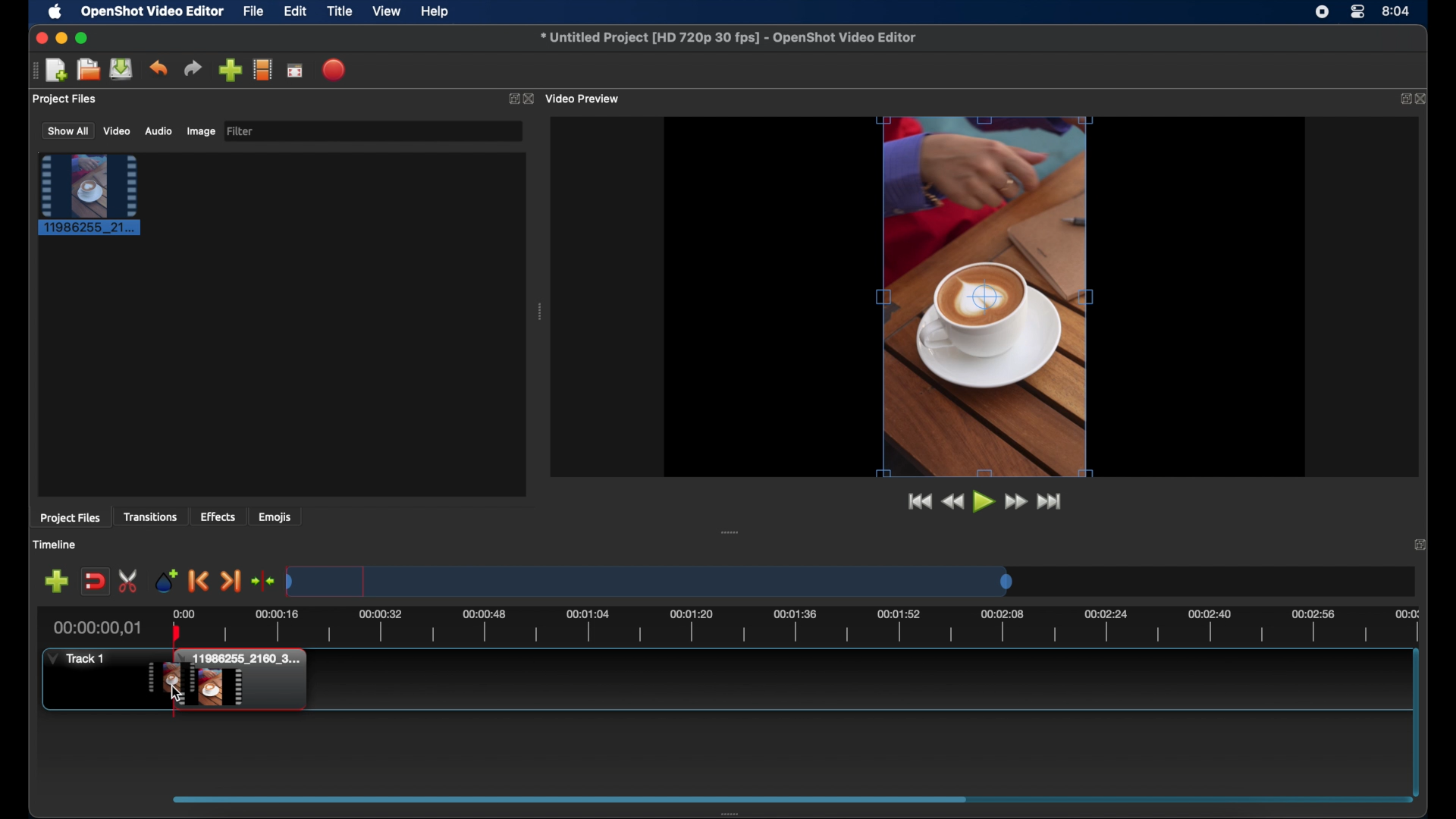 The height and width of the screenshot is (819, 1456). I want to click on track, so click(225, 680).